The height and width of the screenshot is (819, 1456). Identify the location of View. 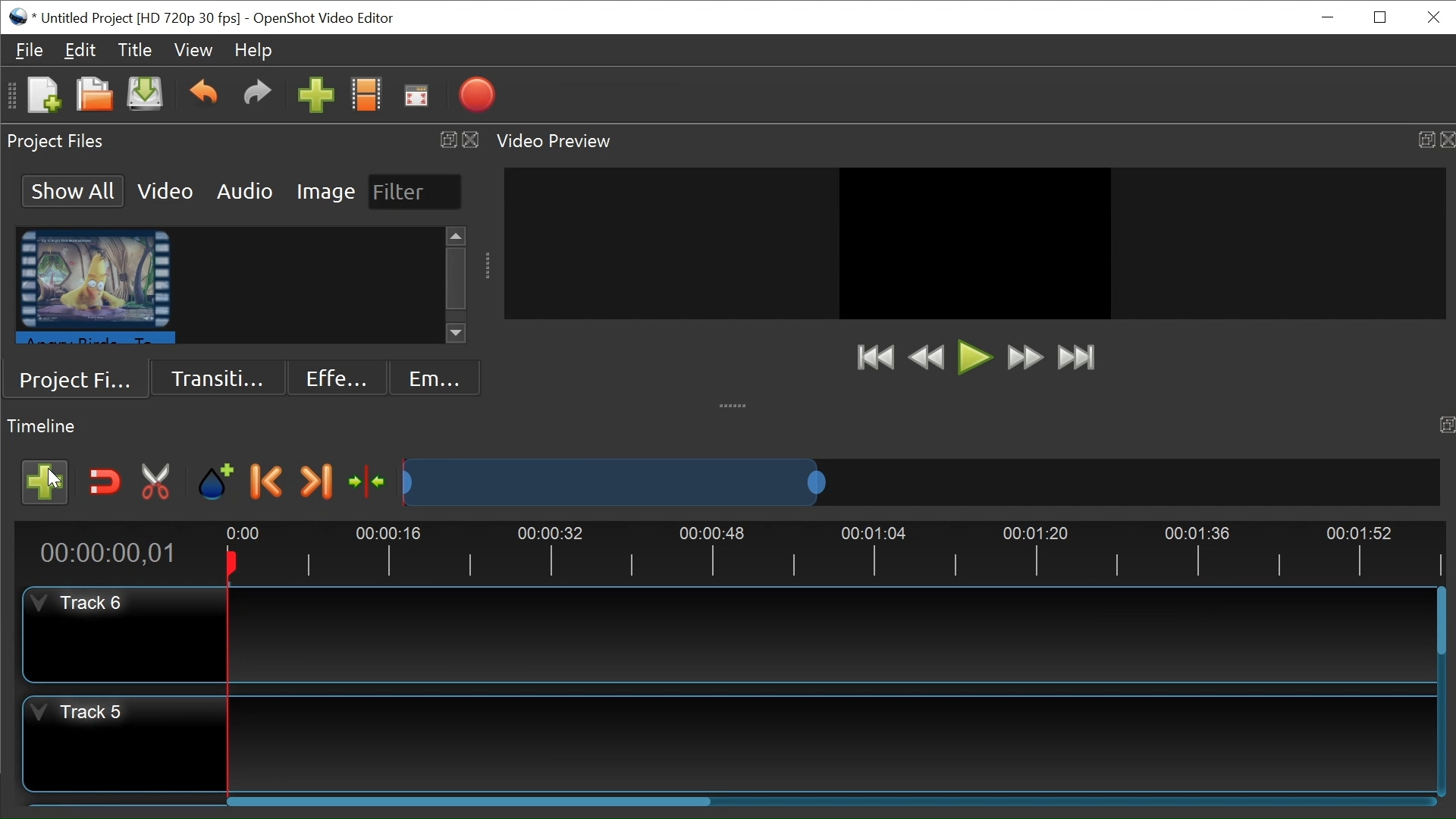
(192, 49).